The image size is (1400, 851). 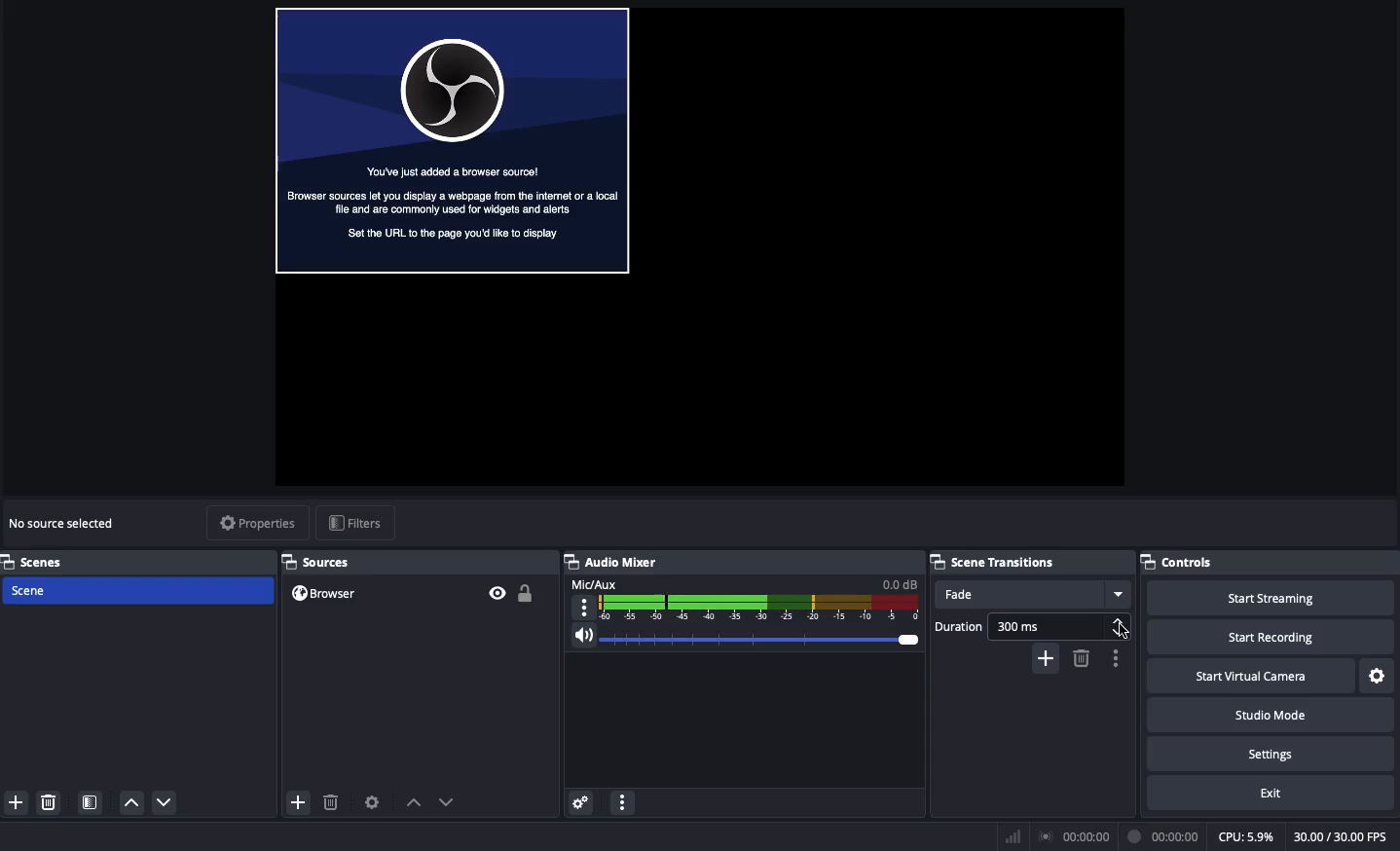 What do you see at coordinates (1259, 639) in the screenshot?
I see `Start recording` at bounding box center [1259, 639].